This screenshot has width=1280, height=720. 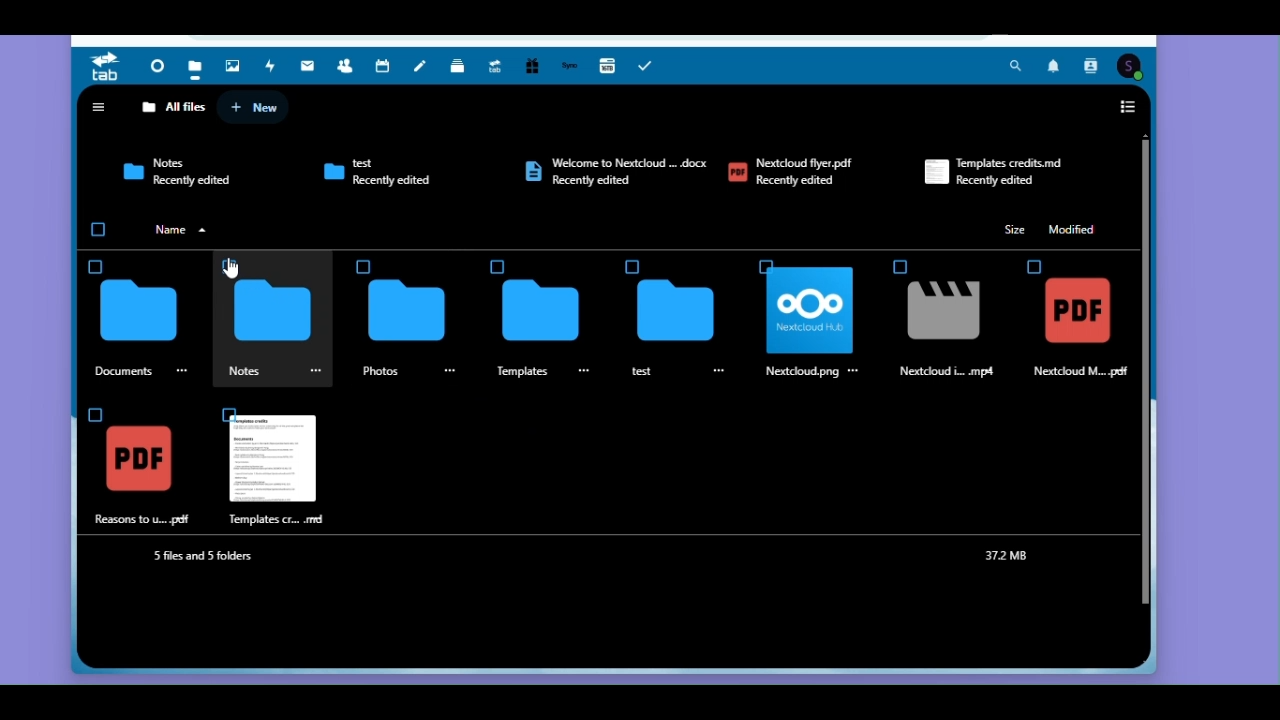 I want to click on Files, so click(x=193, y=65).